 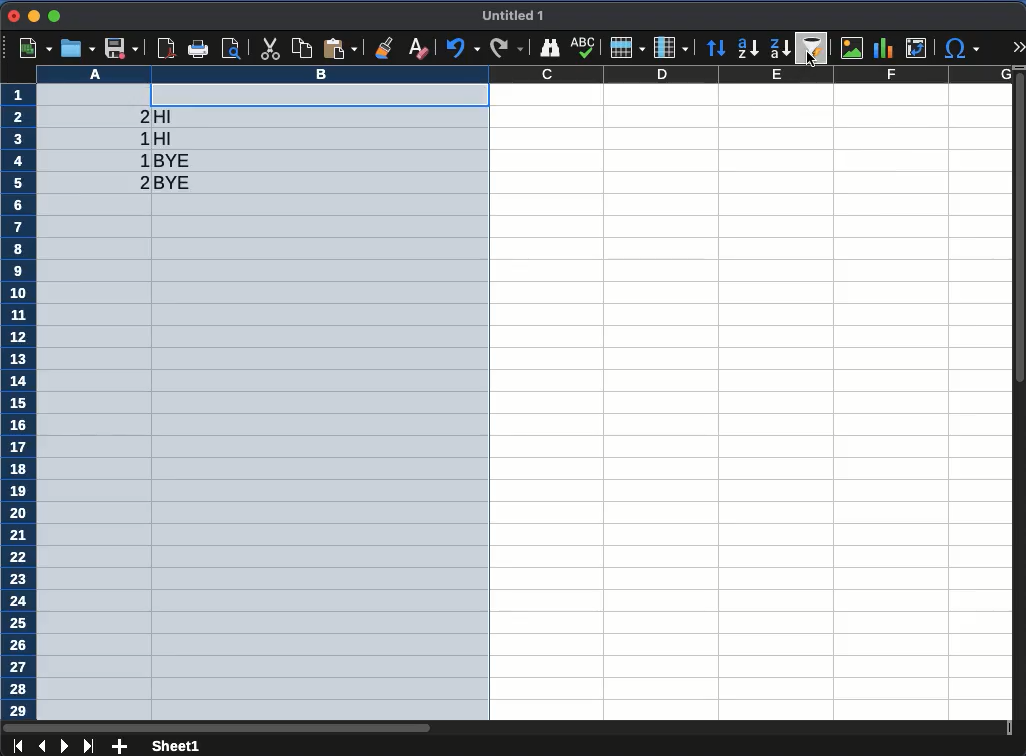 What do you see at coordinates (340, 48) in the screenshot?
I see `paste` at bounding box center [340, 48].